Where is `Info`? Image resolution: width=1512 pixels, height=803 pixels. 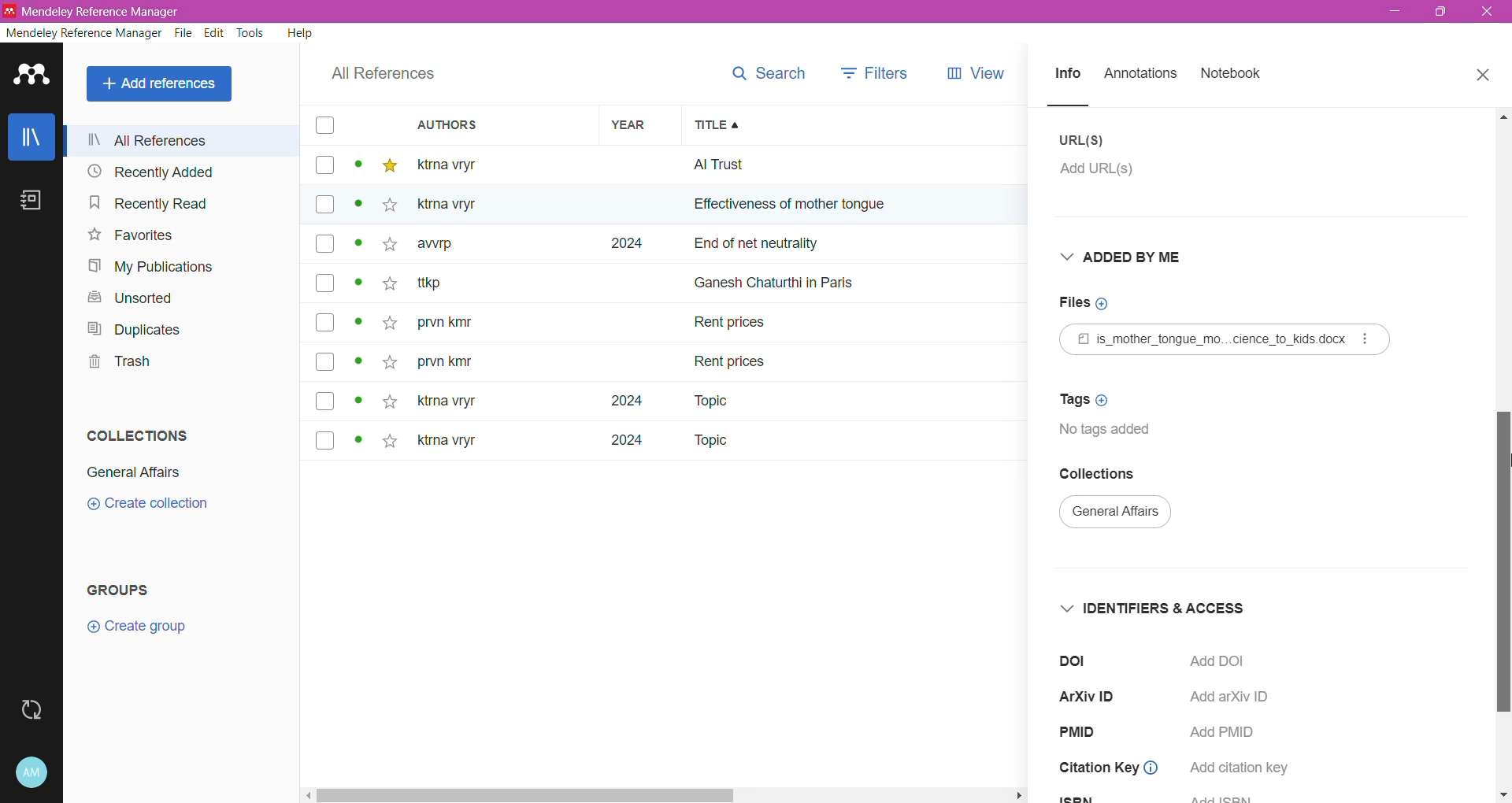
Info is located at coordinates (1066, 75).